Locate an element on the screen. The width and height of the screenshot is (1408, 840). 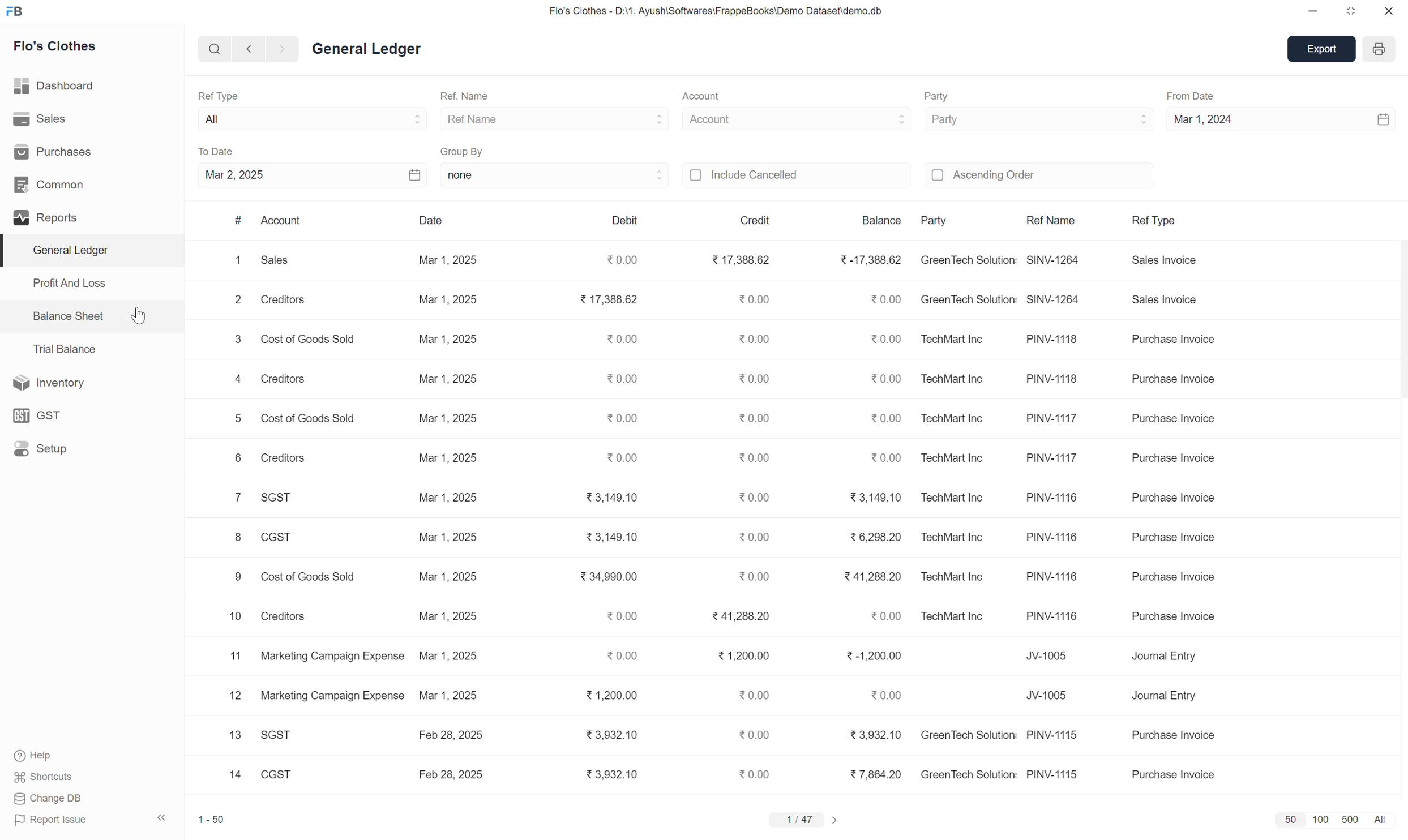
0.00 is located at coordinates (880, 454).